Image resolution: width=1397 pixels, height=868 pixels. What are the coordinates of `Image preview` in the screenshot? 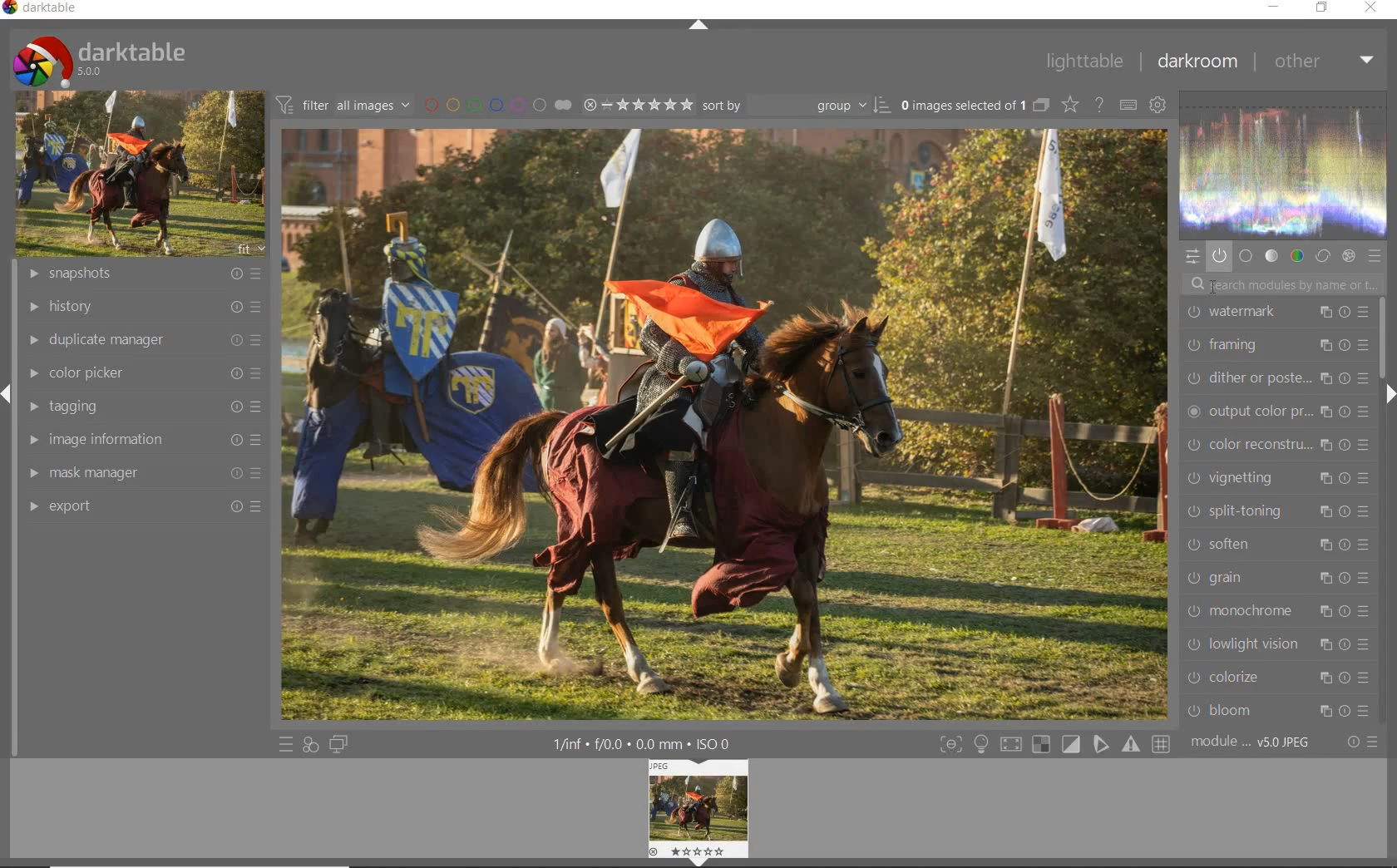 It's located at (698, 811).